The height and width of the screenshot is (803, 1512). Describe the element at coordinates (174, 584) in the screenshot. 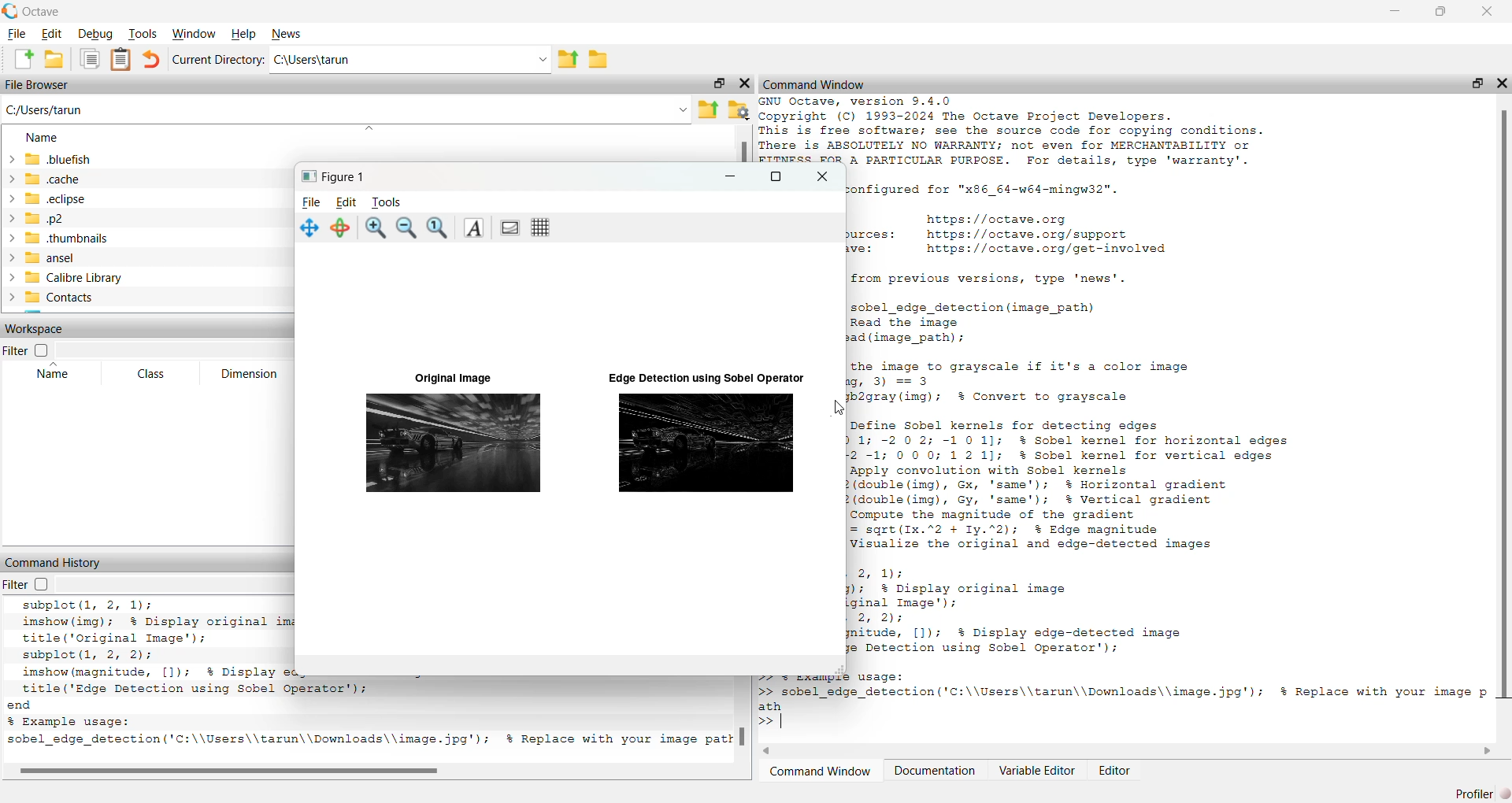

I see `dropdown` at that location.